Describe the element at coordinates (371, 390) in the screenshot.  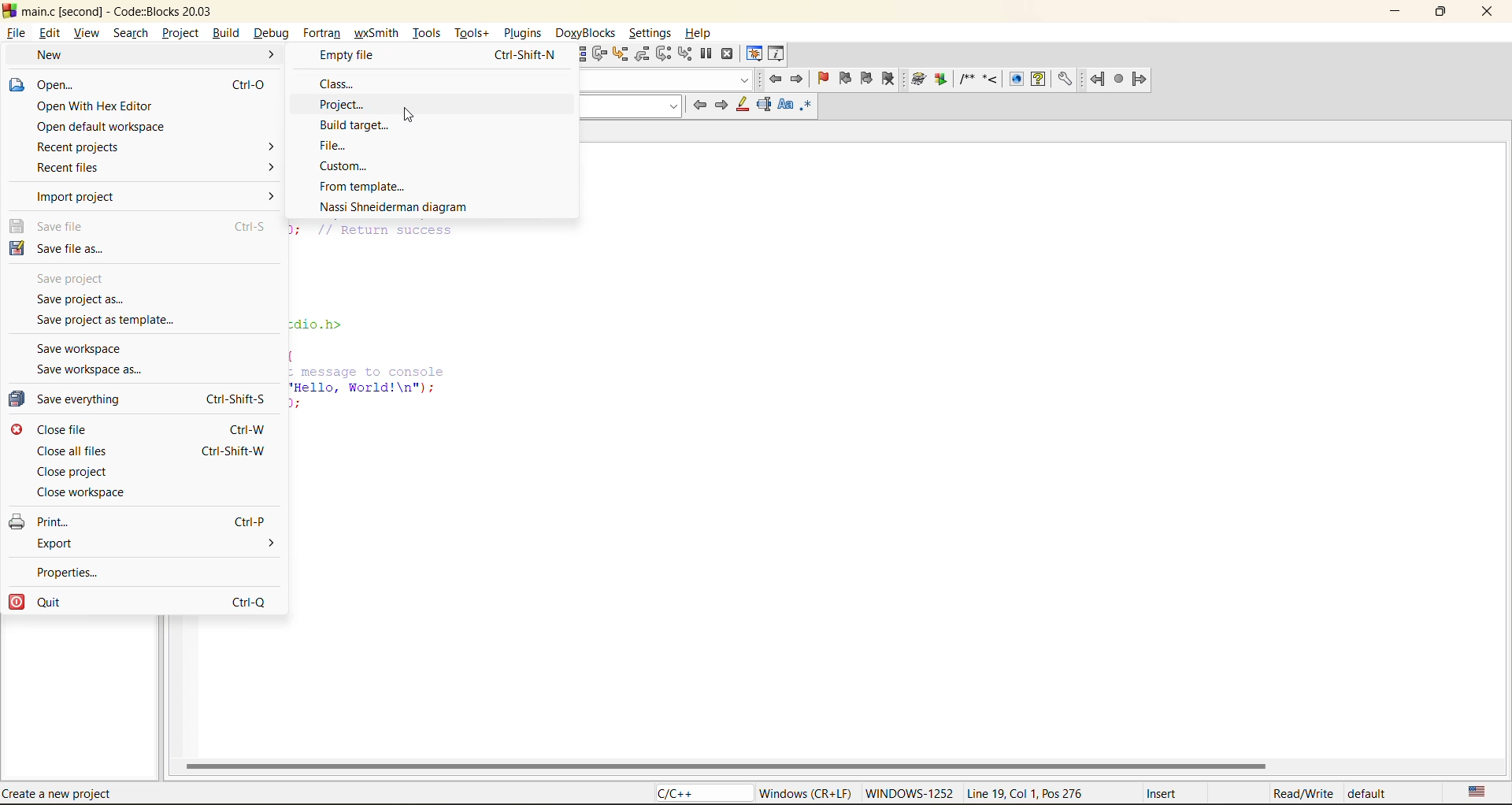
I see `. message to console
‘Hello, World!\n");
);` at that location.